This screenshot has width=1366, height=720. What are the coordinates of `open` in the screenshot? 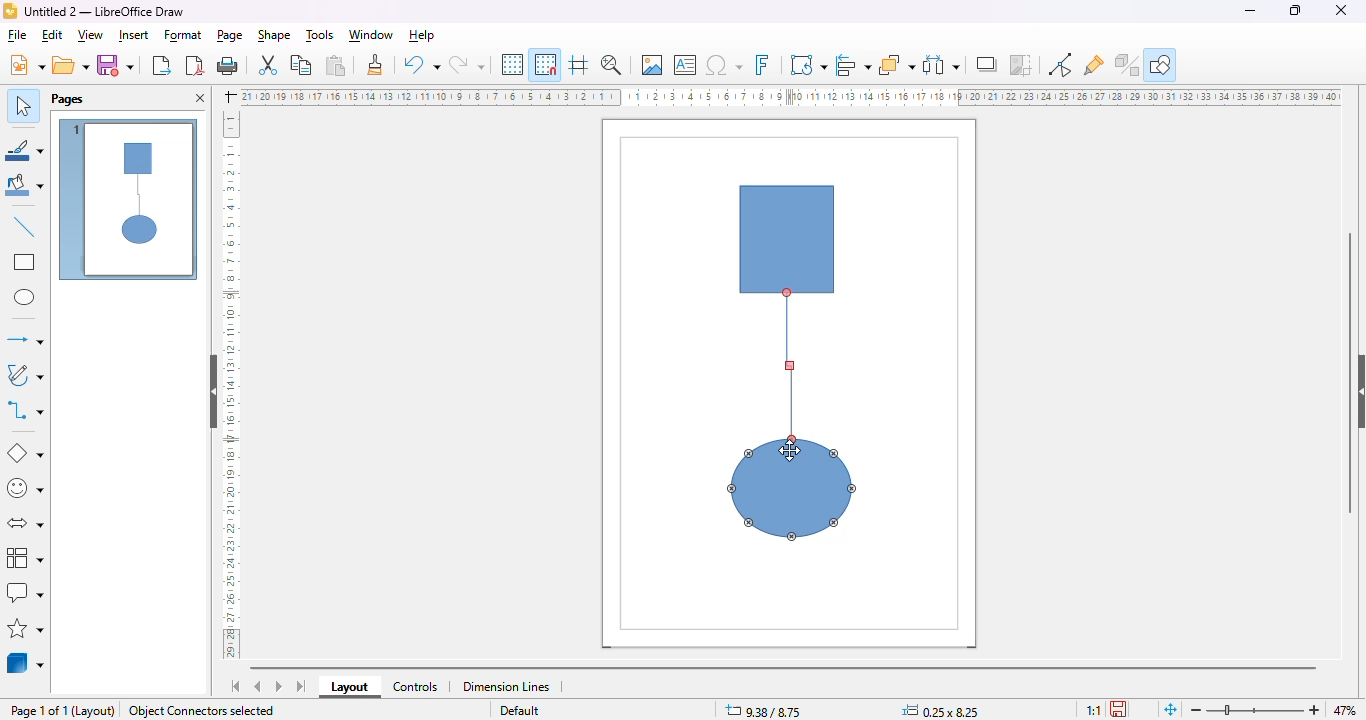 It's located at (71, 64).